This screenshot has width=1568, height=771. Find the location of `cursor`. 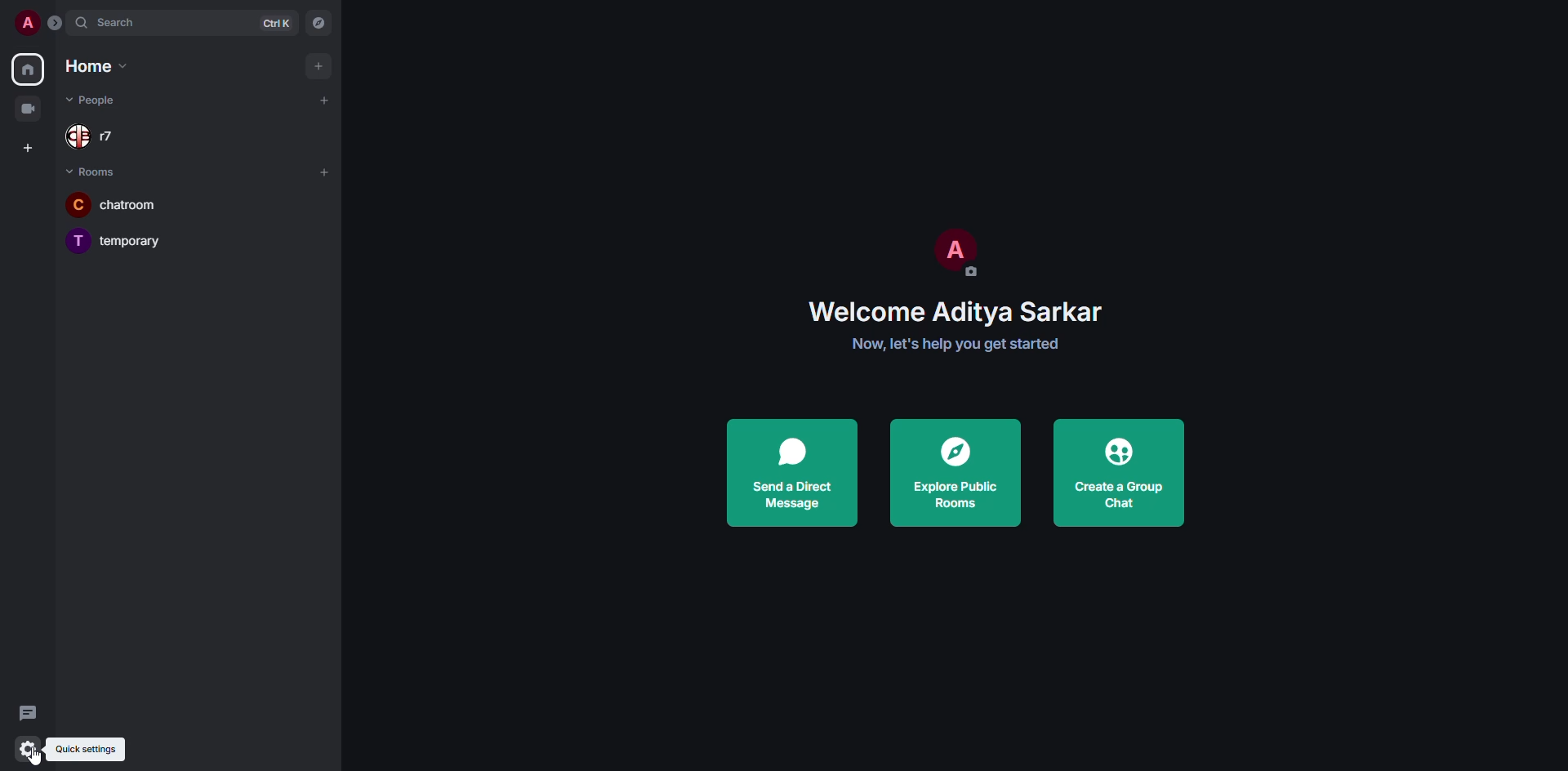

cursor is located at coordinates (35, 758).